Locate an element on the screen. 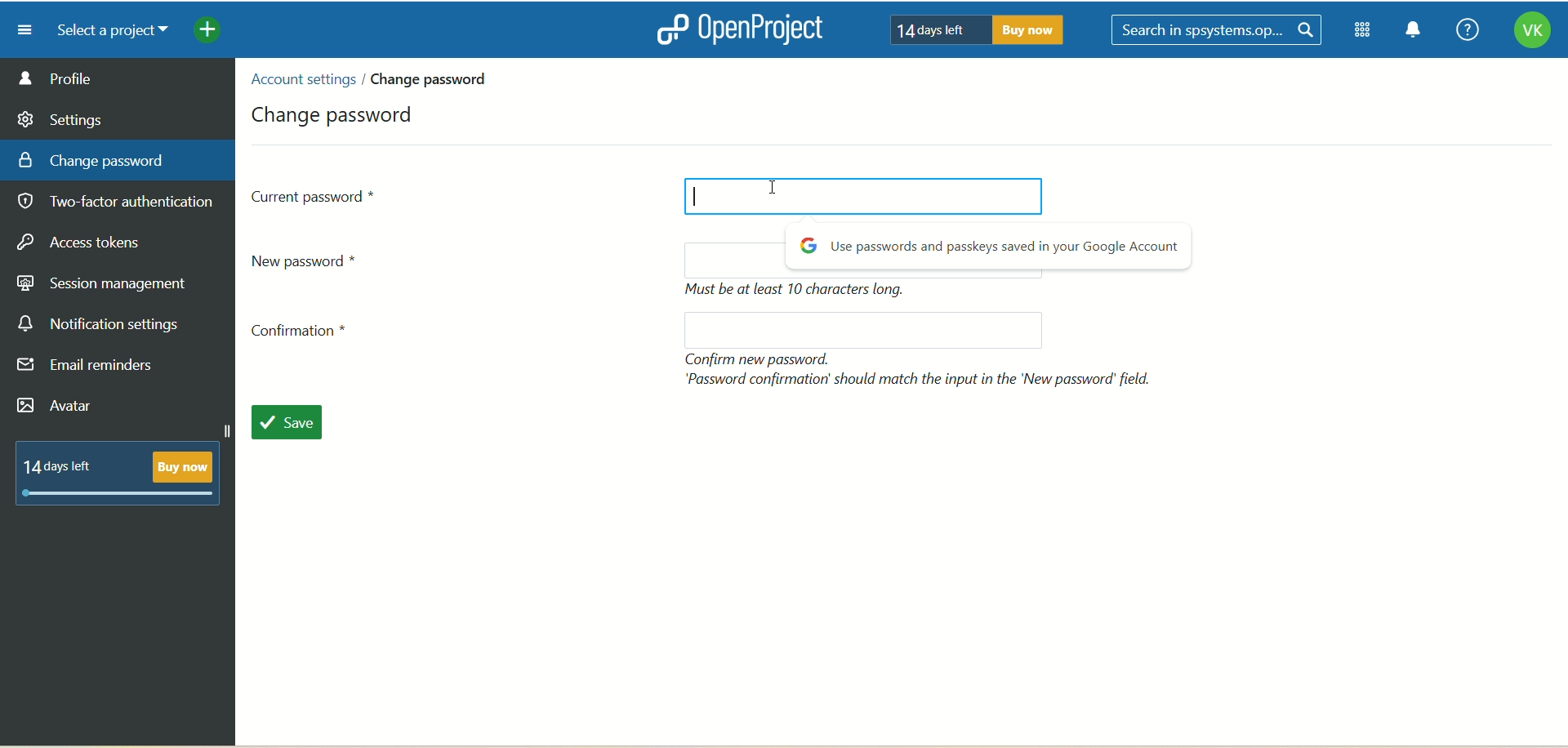 This screenshot has height=748, width=1568. confirmation is located at coordinates (305, 335).